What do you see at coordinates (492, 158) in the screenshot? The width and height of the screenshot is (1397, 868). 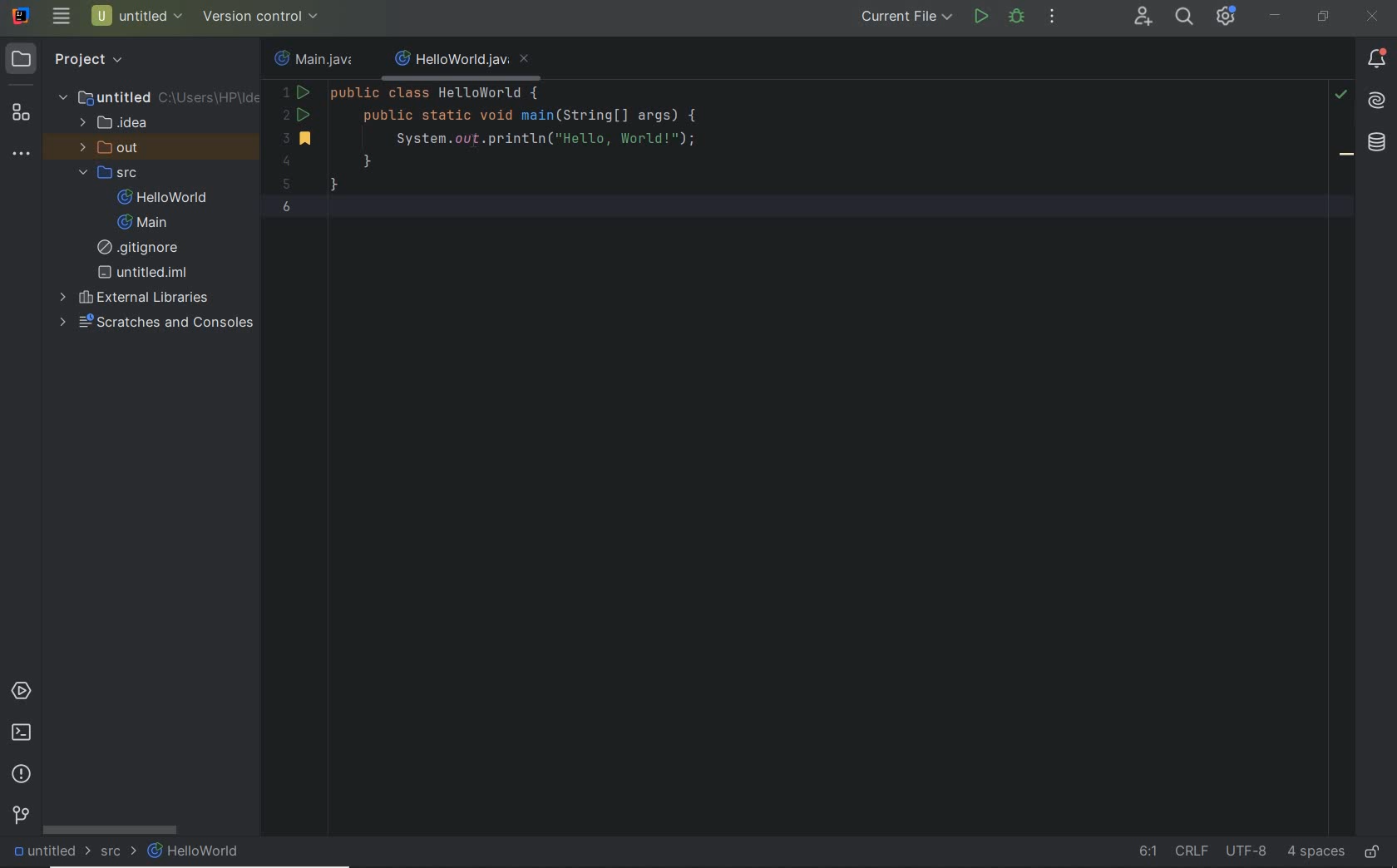 I see `This java code defines a class HelloWorld with a main method. The main method prints the text "Hello,World!" to the console.` at bounding box center [492, 158].